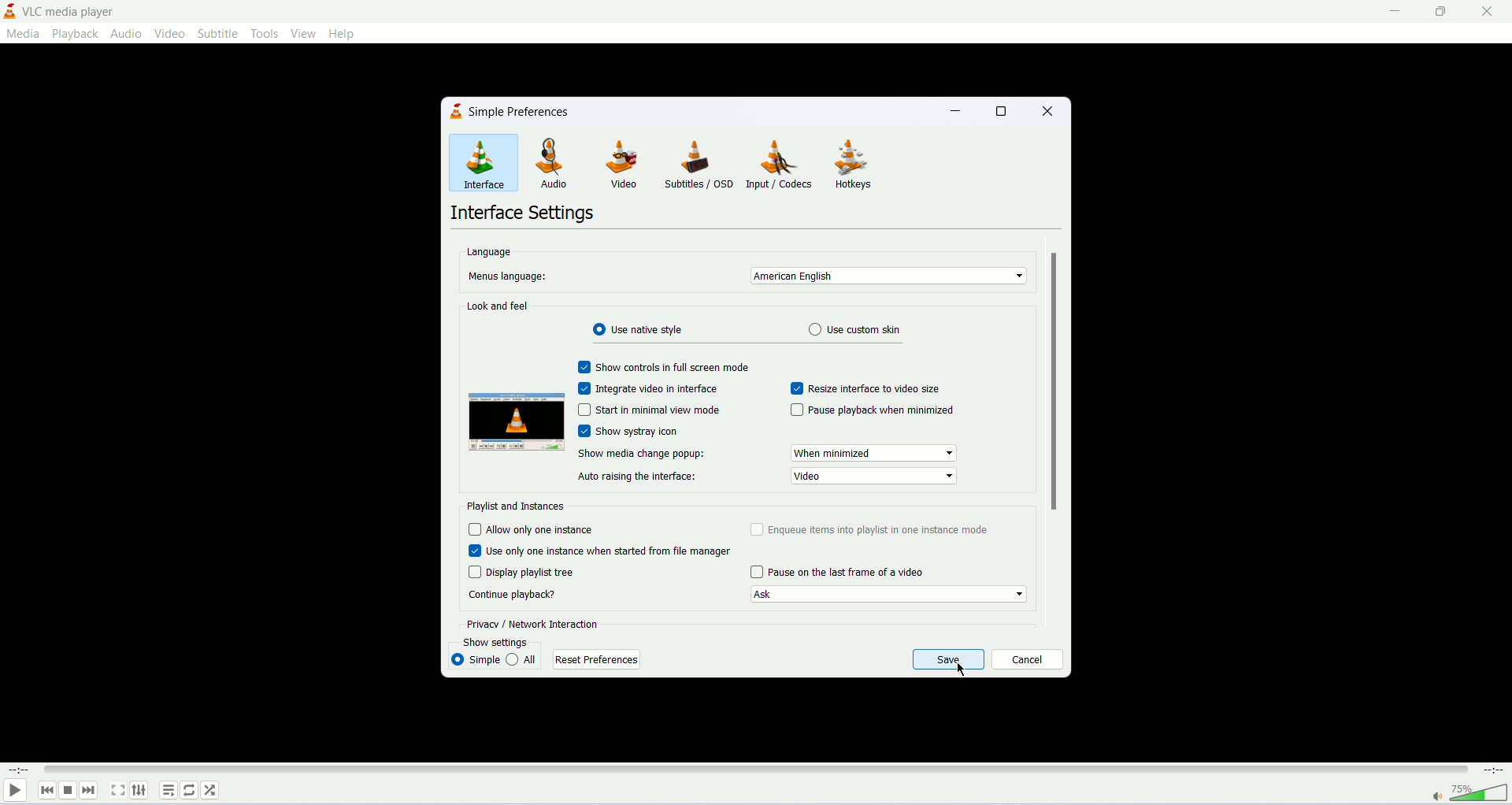 The height and width of the screenshot is (805, 1512). I want to click on subtitle, so click(220, 34).